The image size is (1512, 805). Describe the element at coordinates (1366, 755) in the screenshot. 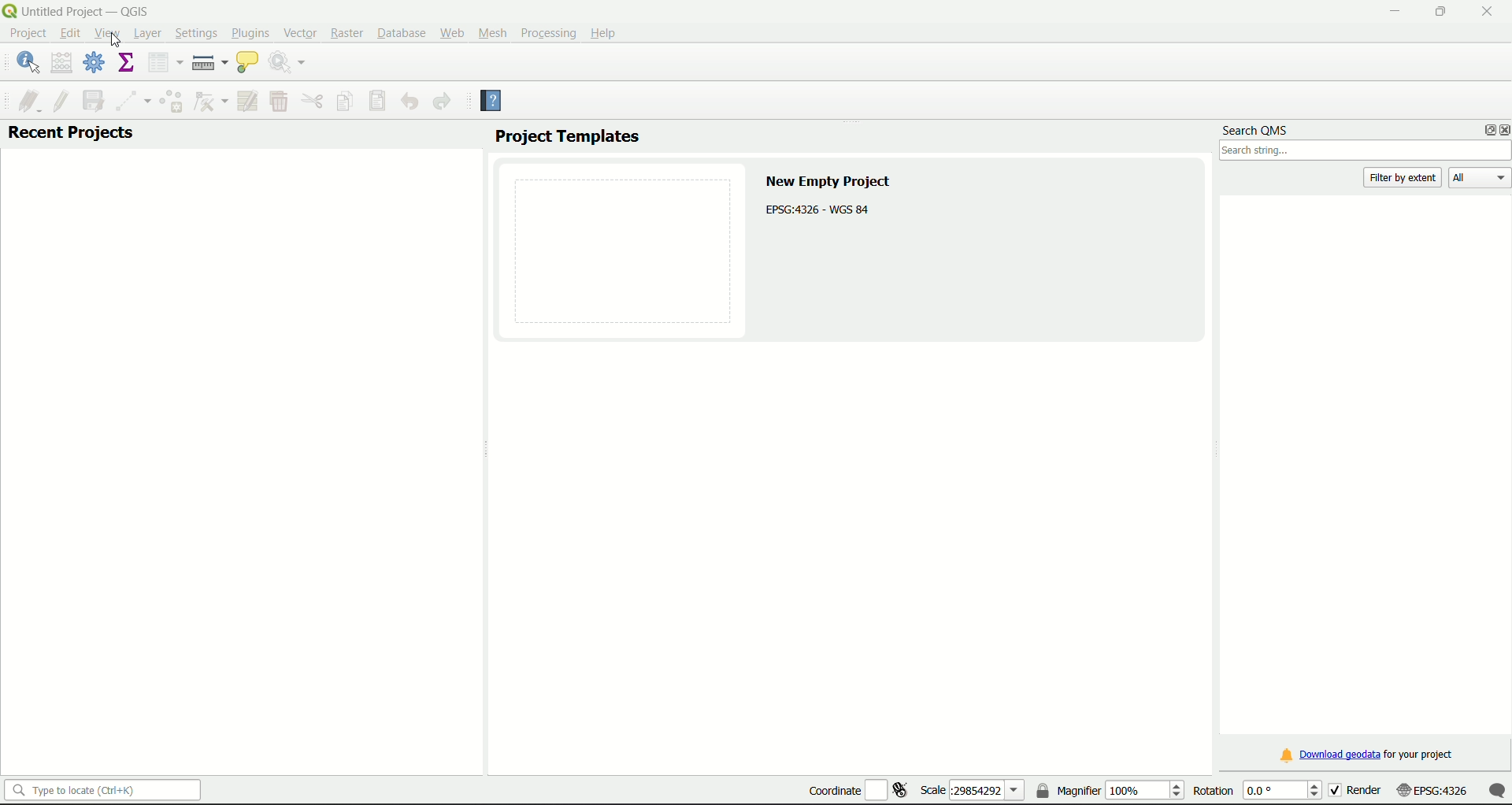

I see `download link` at that location.